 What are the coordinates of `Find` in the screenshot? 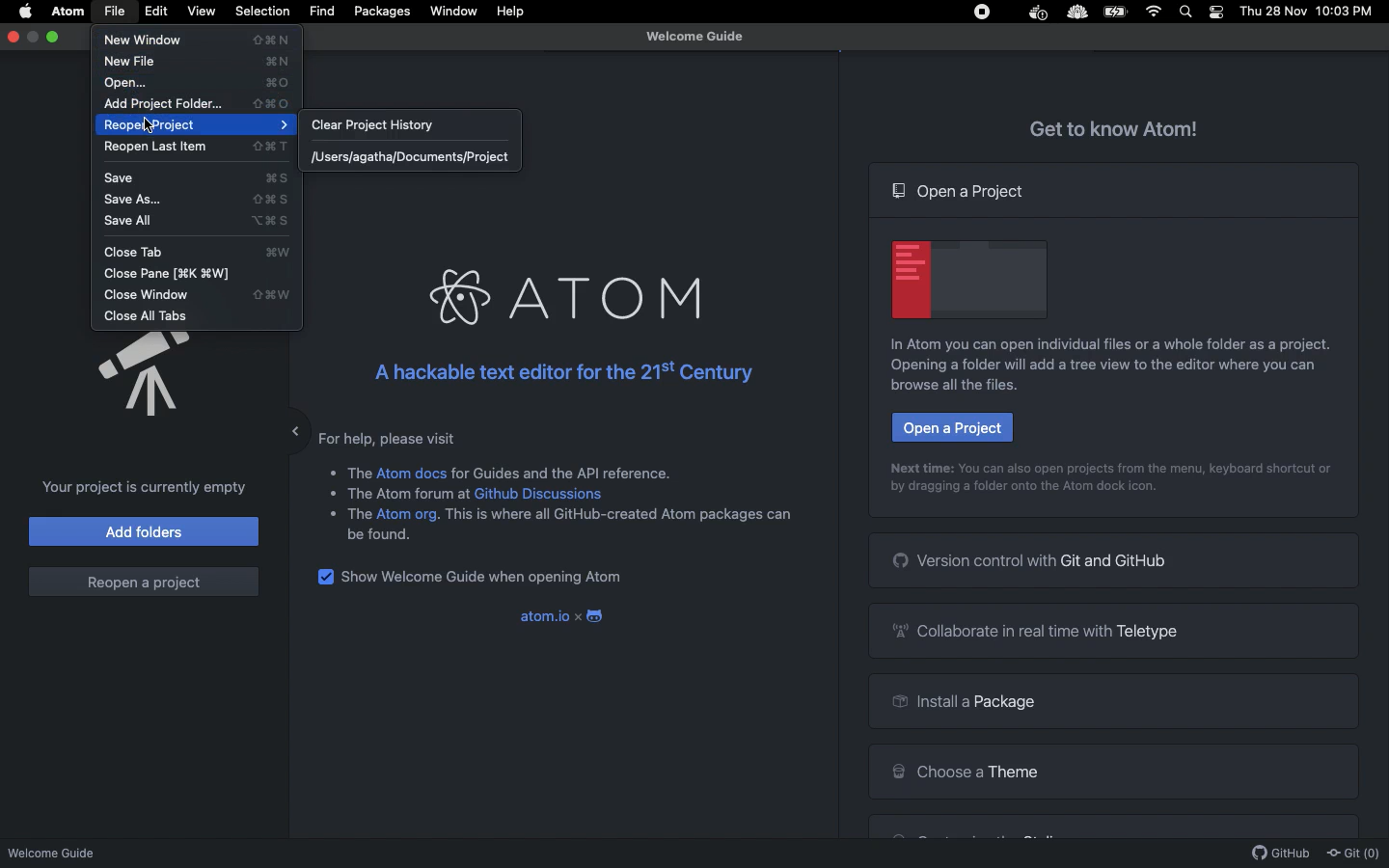 It's located at (321, 12).